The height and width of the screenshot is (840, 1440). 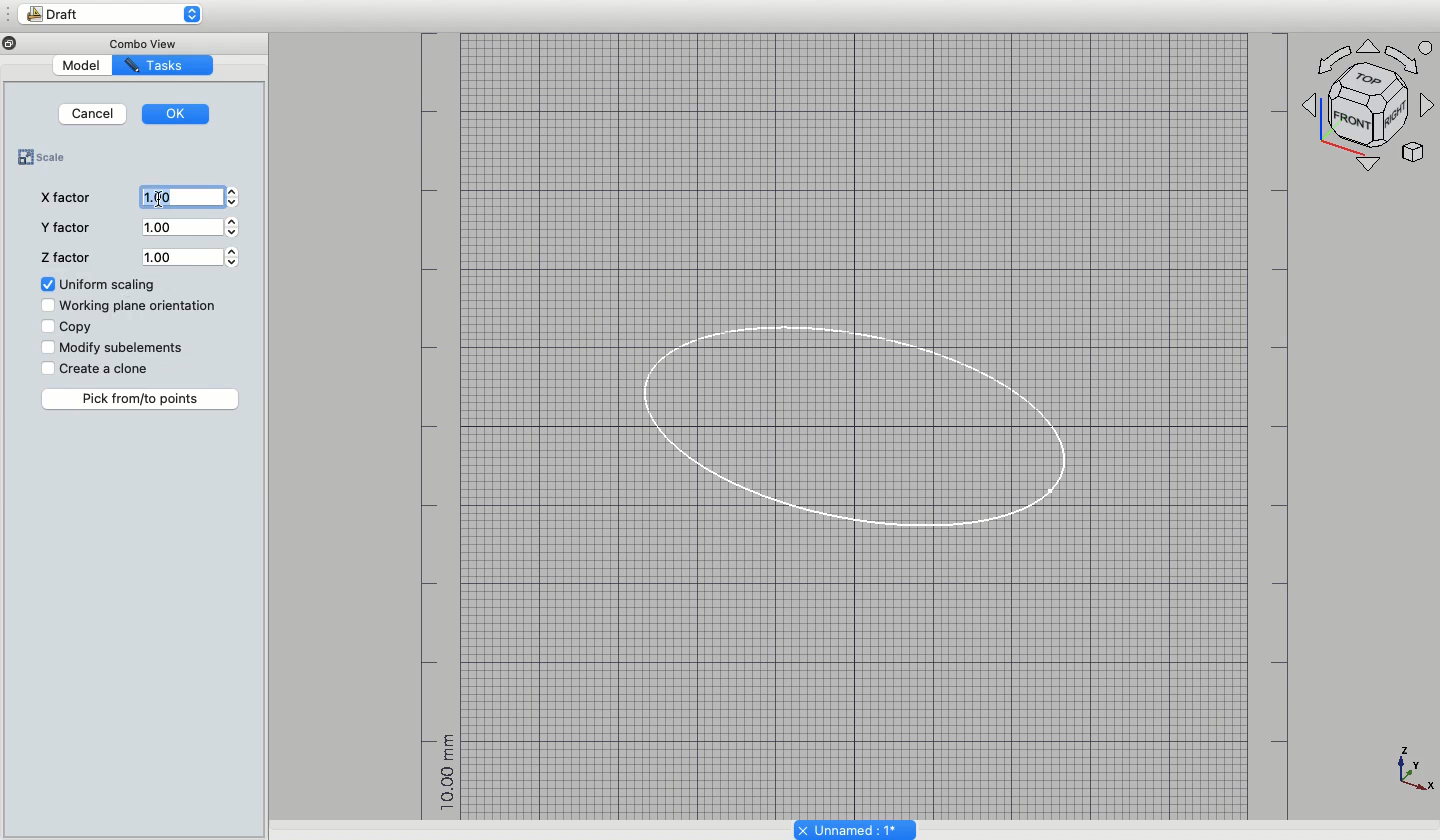 I want to click on Sidebar, so click(x=9, y=14).